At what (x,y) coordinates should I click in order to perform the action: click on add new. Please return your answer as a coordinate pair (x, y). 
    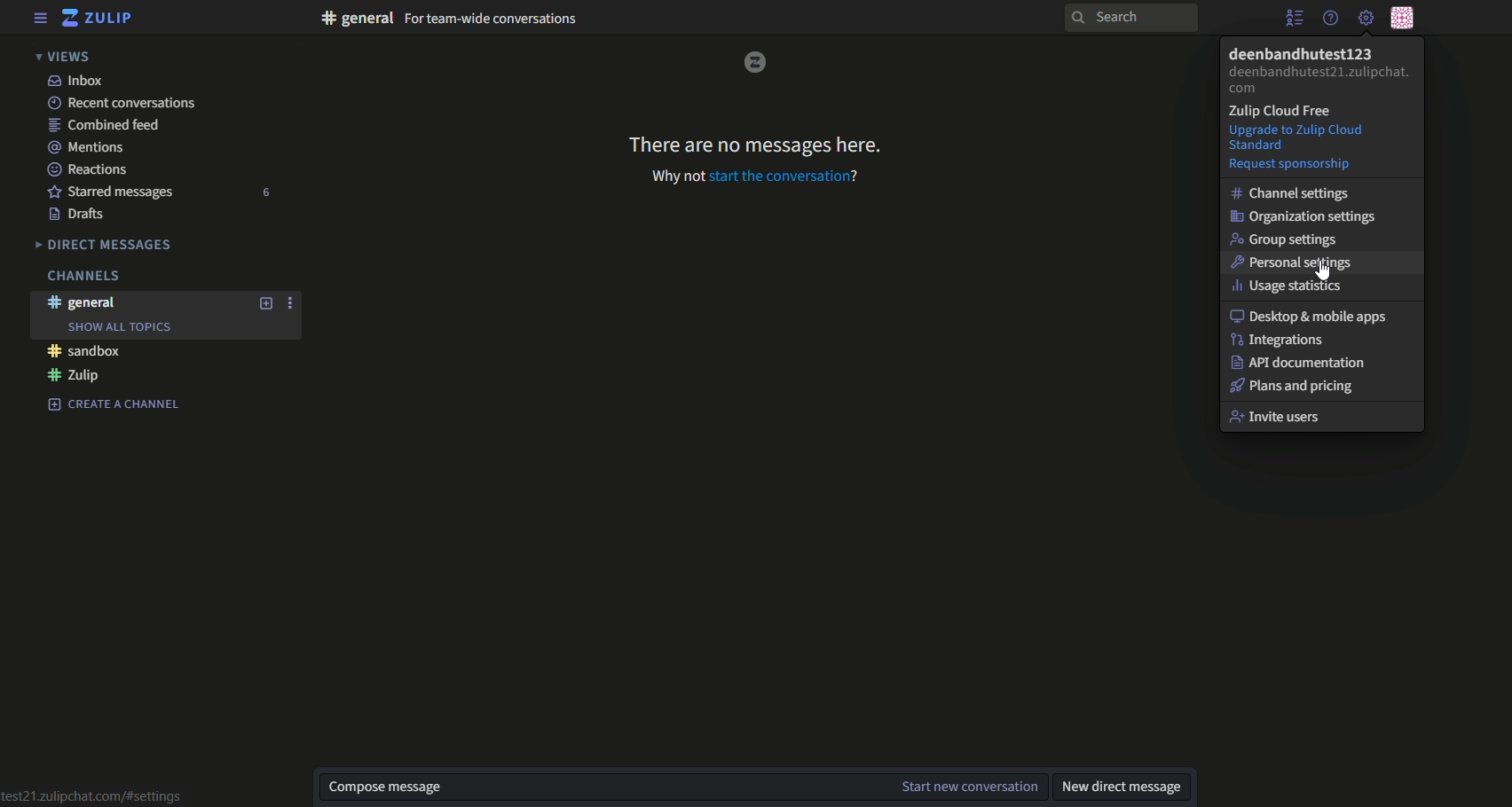
    Looking at the image, I should click on (267, 304).